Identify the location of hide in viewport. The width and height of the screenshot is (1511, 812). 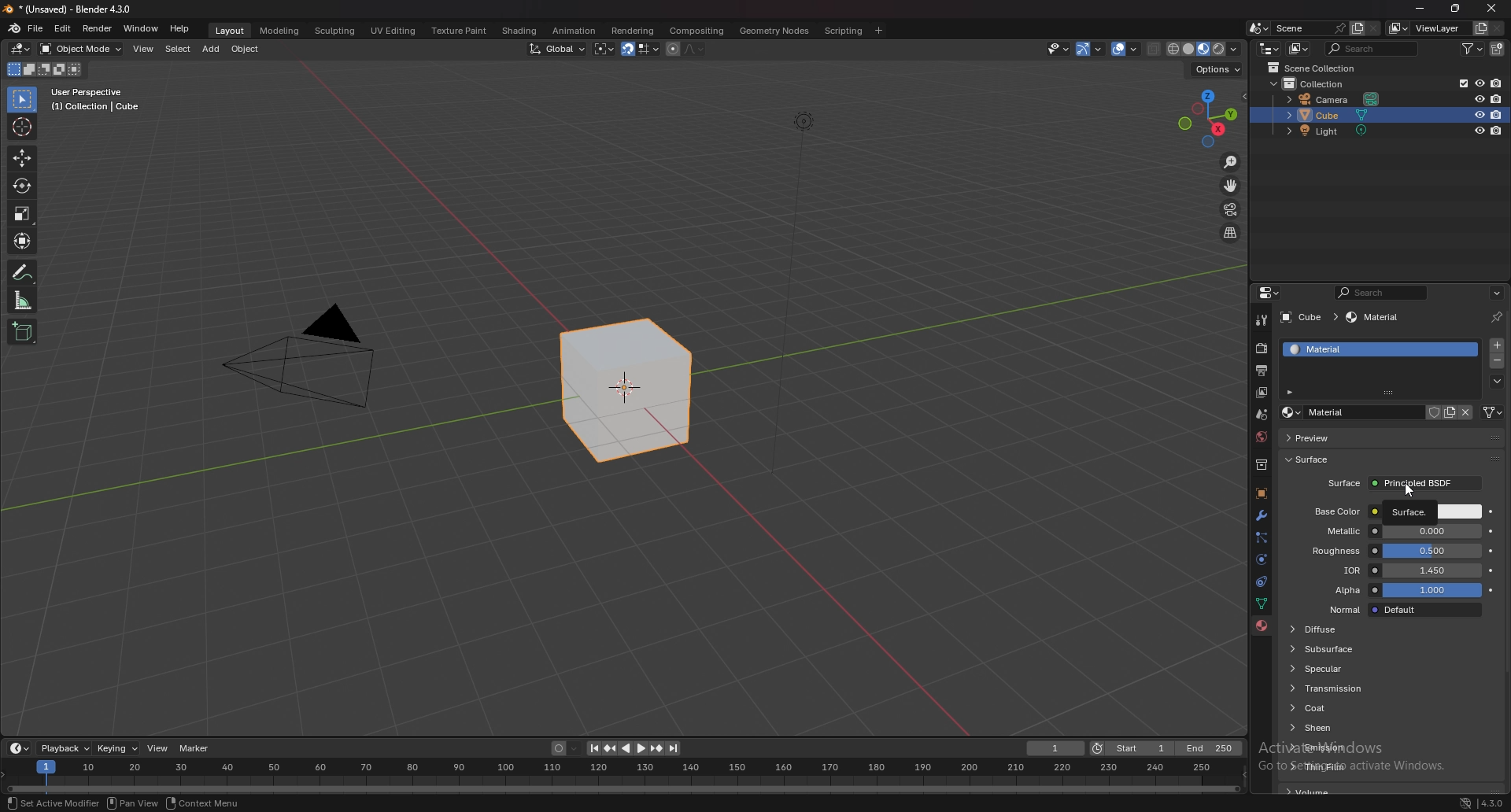
(1480, 130).